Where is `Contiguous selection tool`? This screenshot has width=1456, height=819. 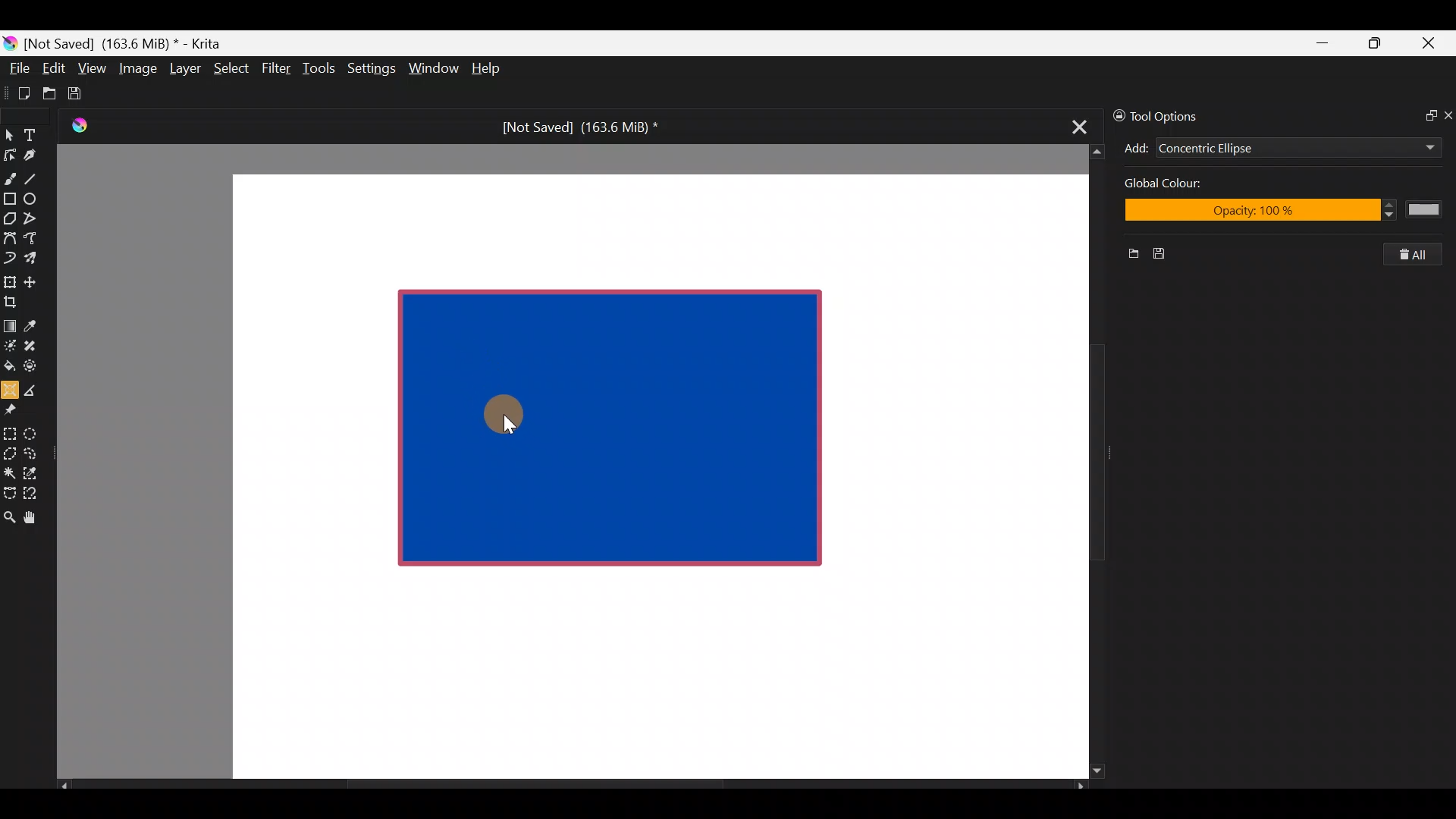
Contiguous selection tool is located at coordinates (9, 469).